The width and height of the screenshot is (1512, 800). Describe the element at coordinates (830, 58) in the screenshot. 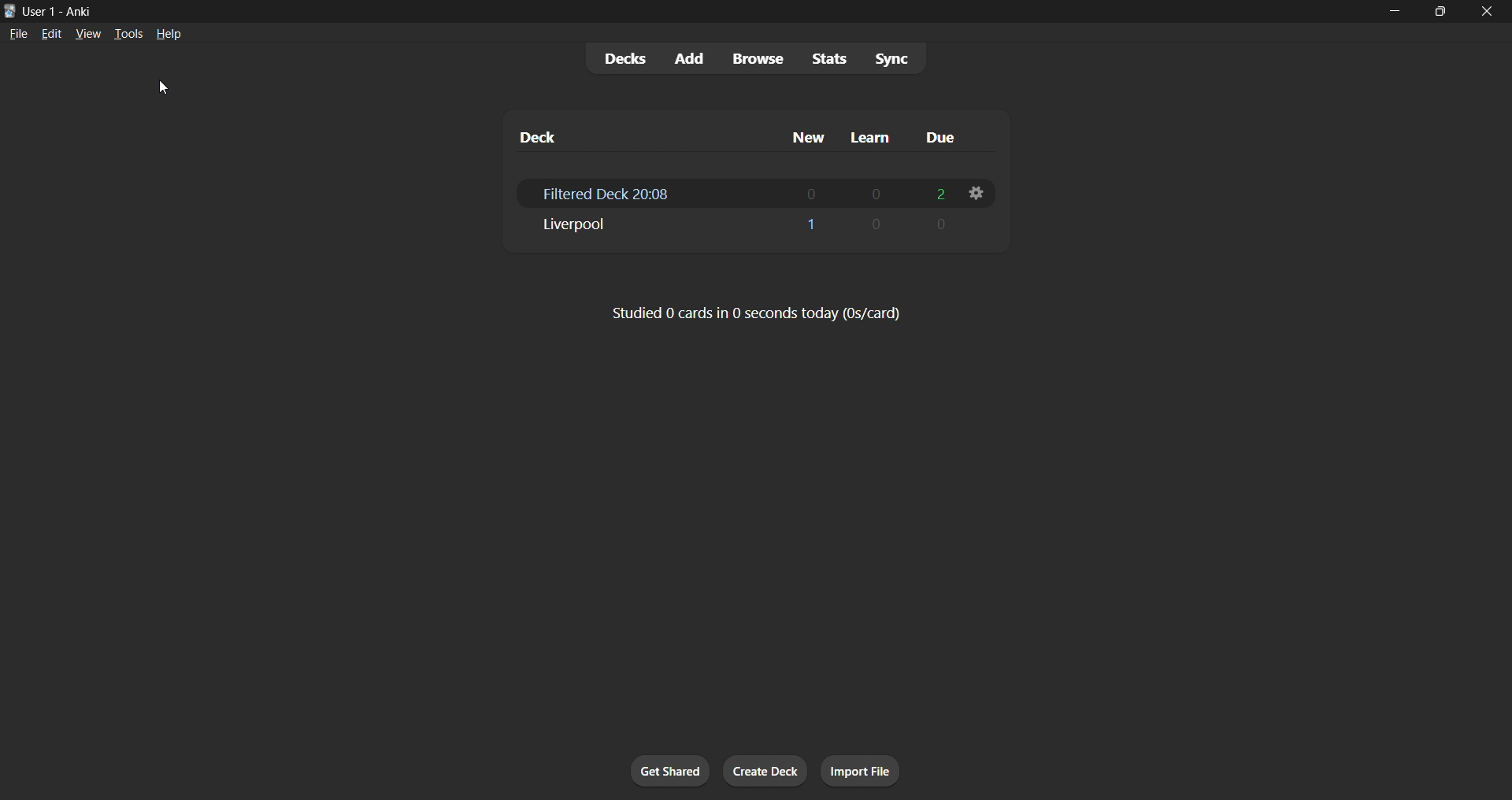

I see `stats` at that location.